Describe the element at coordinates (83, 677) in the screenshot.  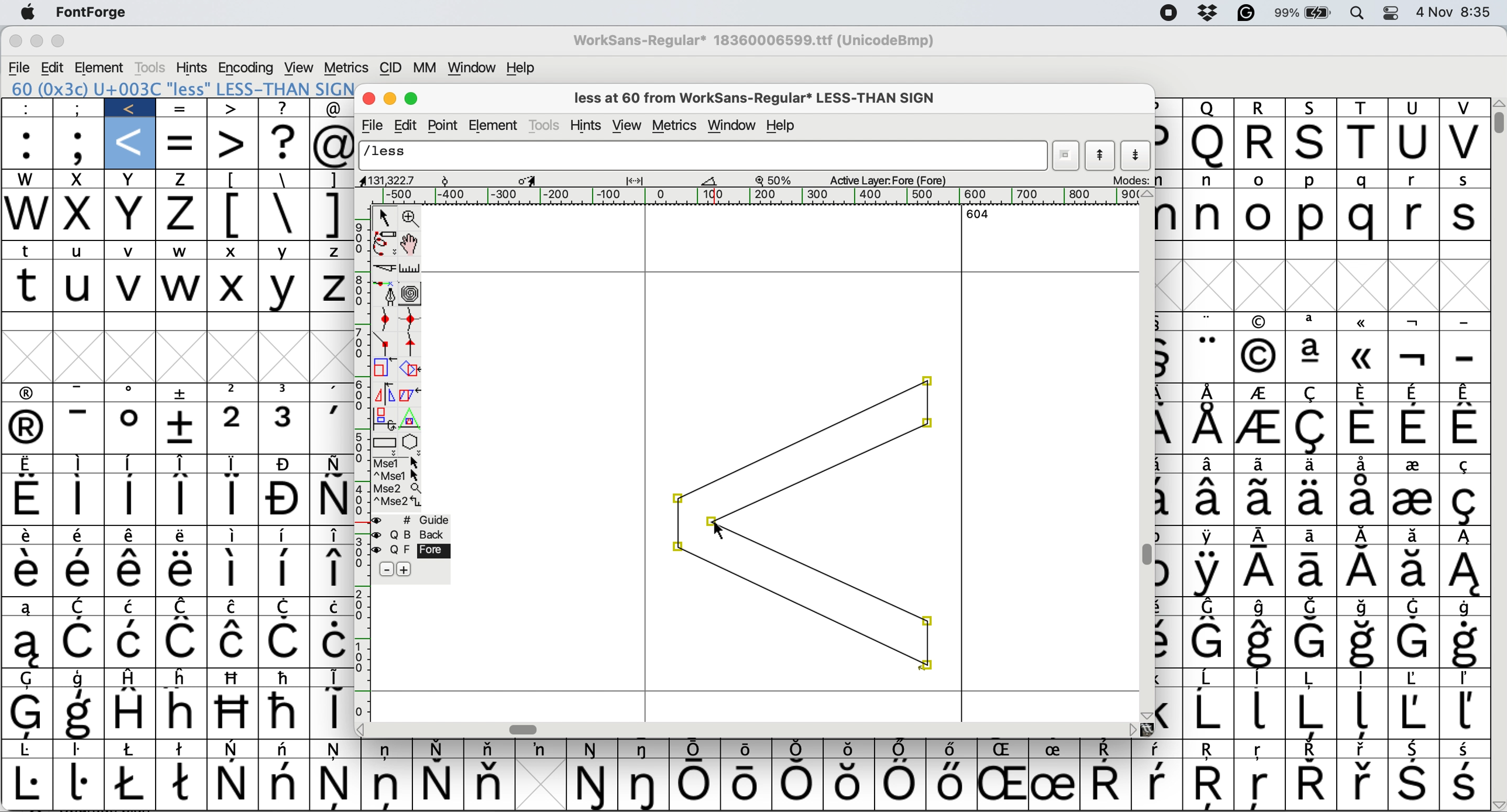
I see `Symbol` at that location.